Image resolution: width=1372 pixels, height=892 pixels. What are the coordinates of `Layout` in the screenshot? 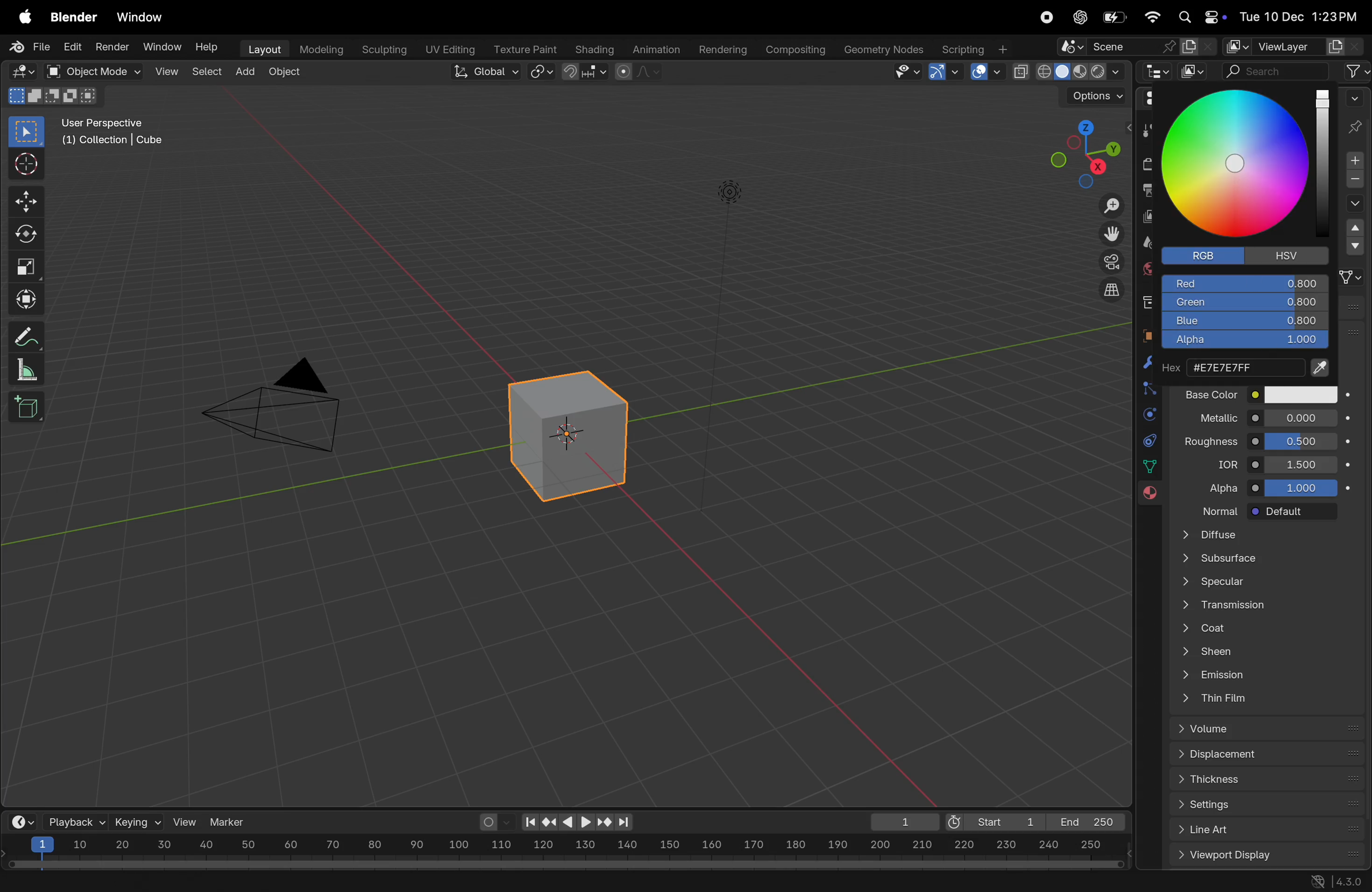 It's located at (262, 48).